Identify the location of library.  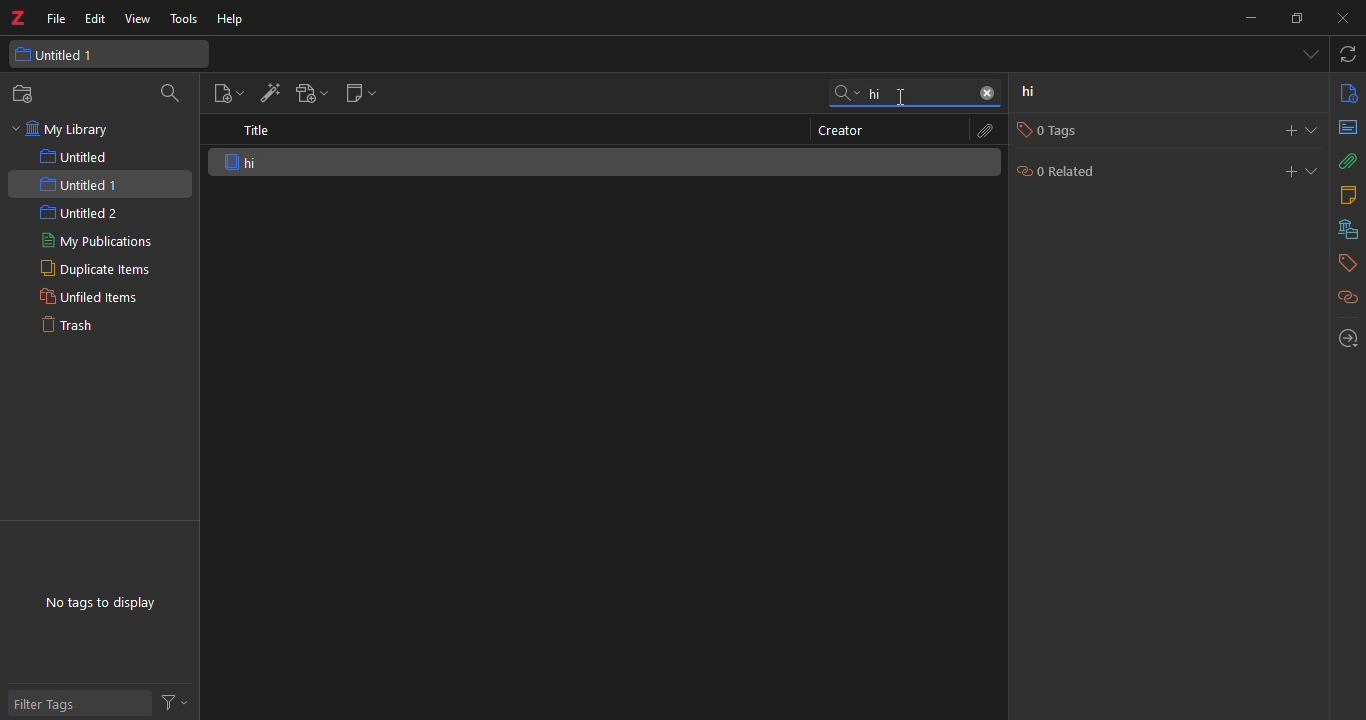
(1342, 231).